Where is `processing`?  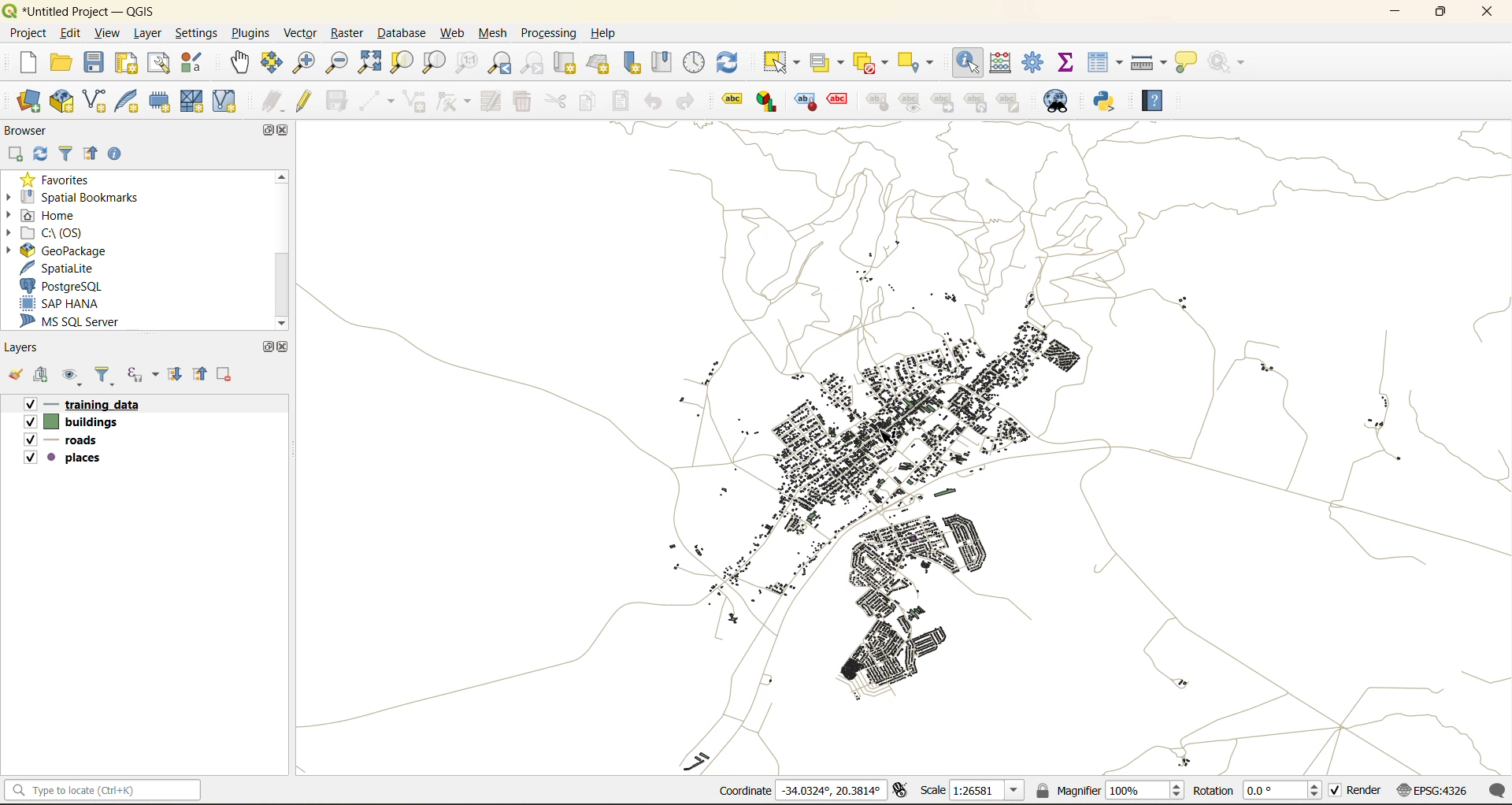
processing is located at coordinates (550, 35).